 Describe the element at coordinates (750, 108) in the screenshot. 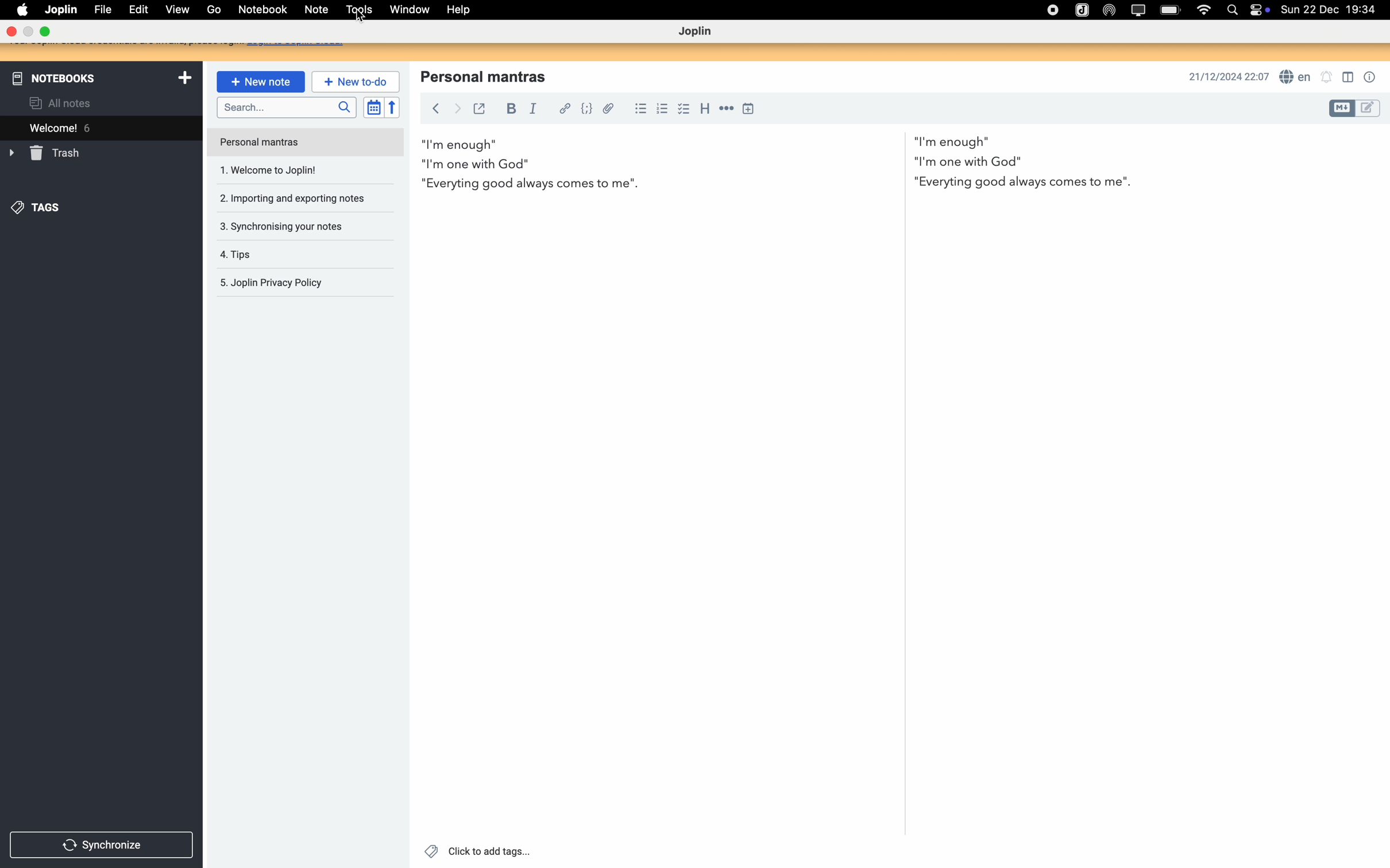

I see `insert time` at that location.